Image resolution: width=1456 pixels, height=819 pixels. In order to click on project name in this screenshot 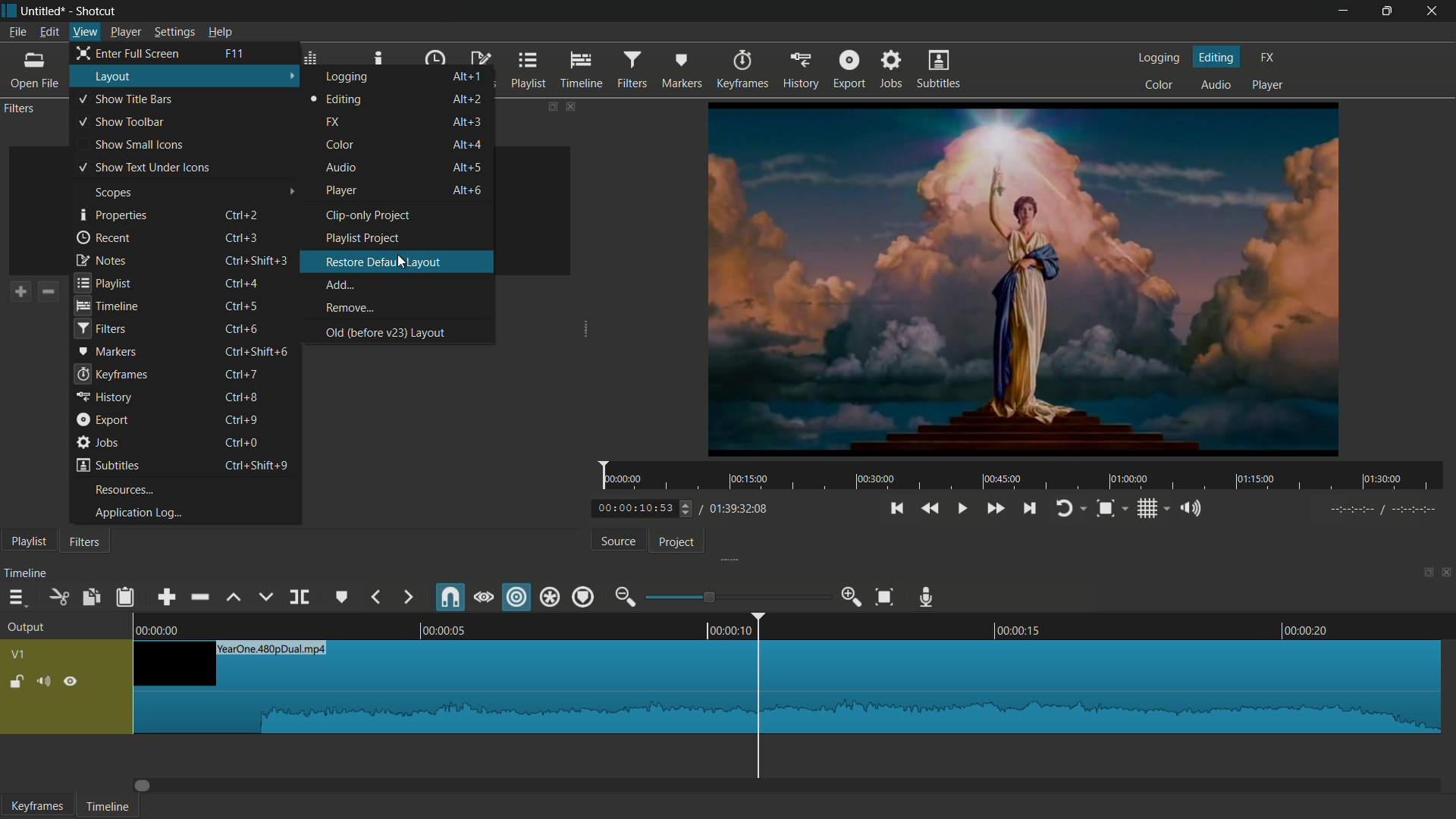, I will do `click(45, 11)`.